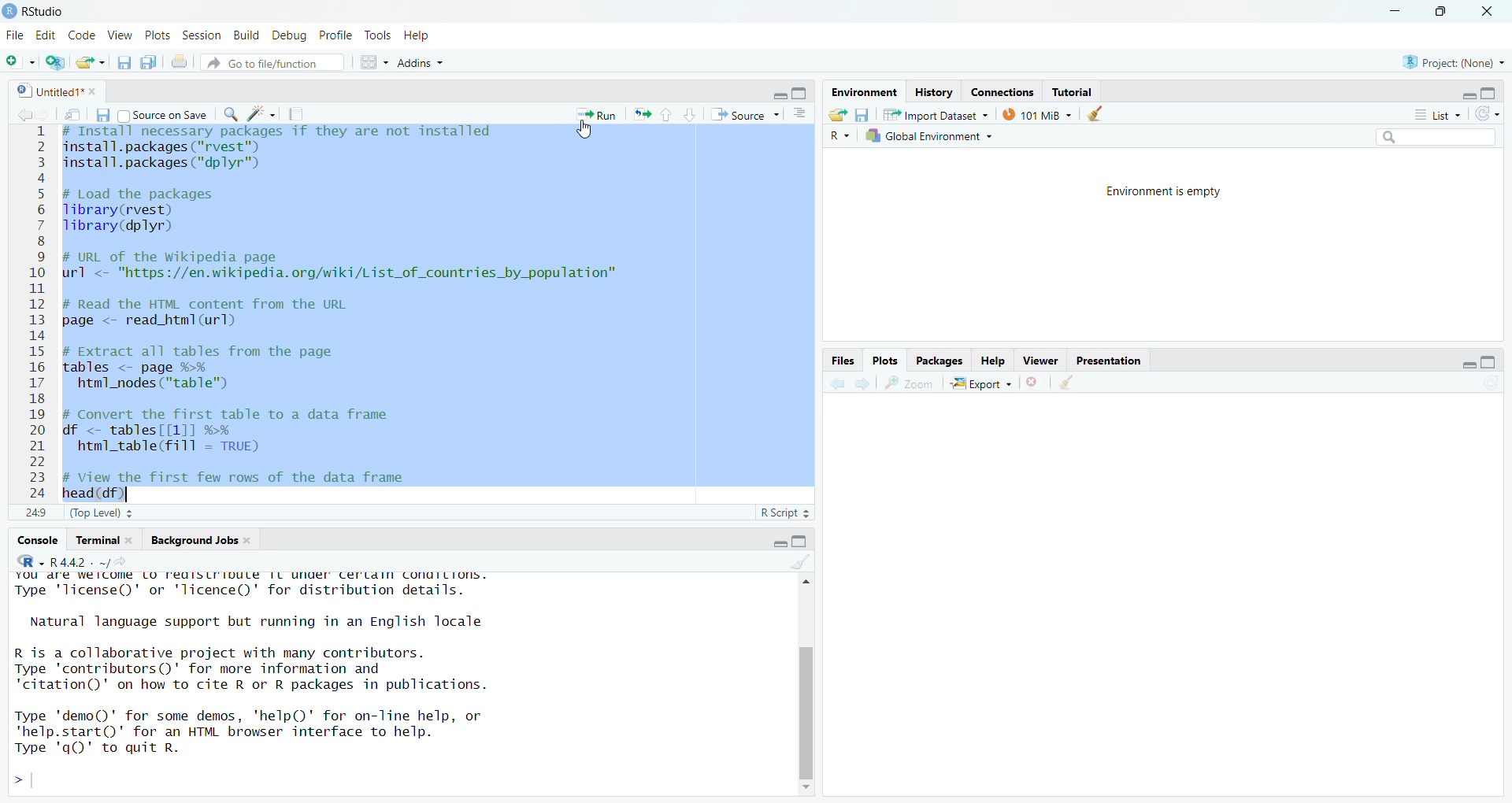 This screenshot has width=1512, height=803. What do you see at coordinates (839, 383) in the screenshot?
I see `back` at bounding box center [839, 383].